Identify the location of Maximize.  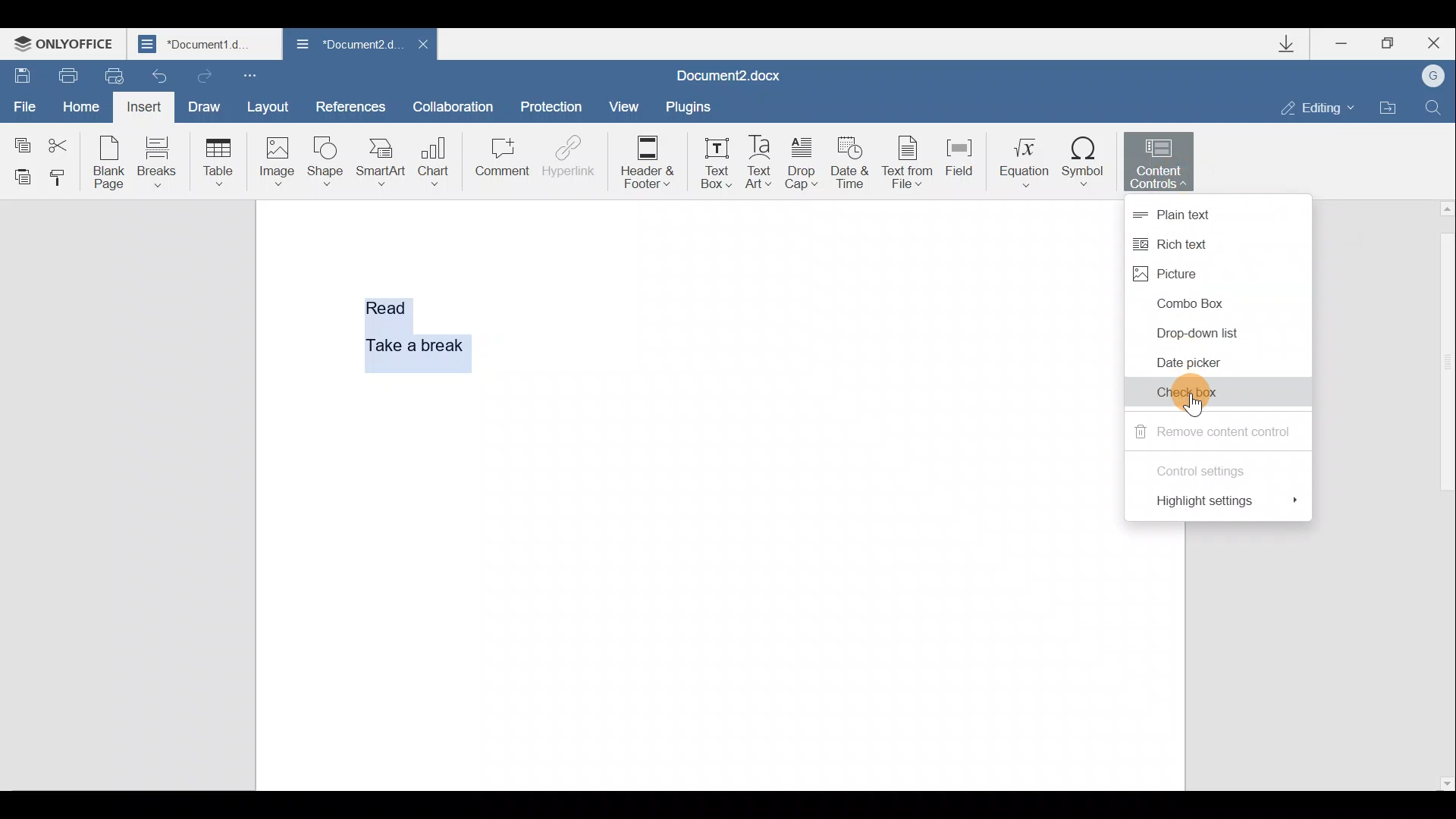
(1394, 42).